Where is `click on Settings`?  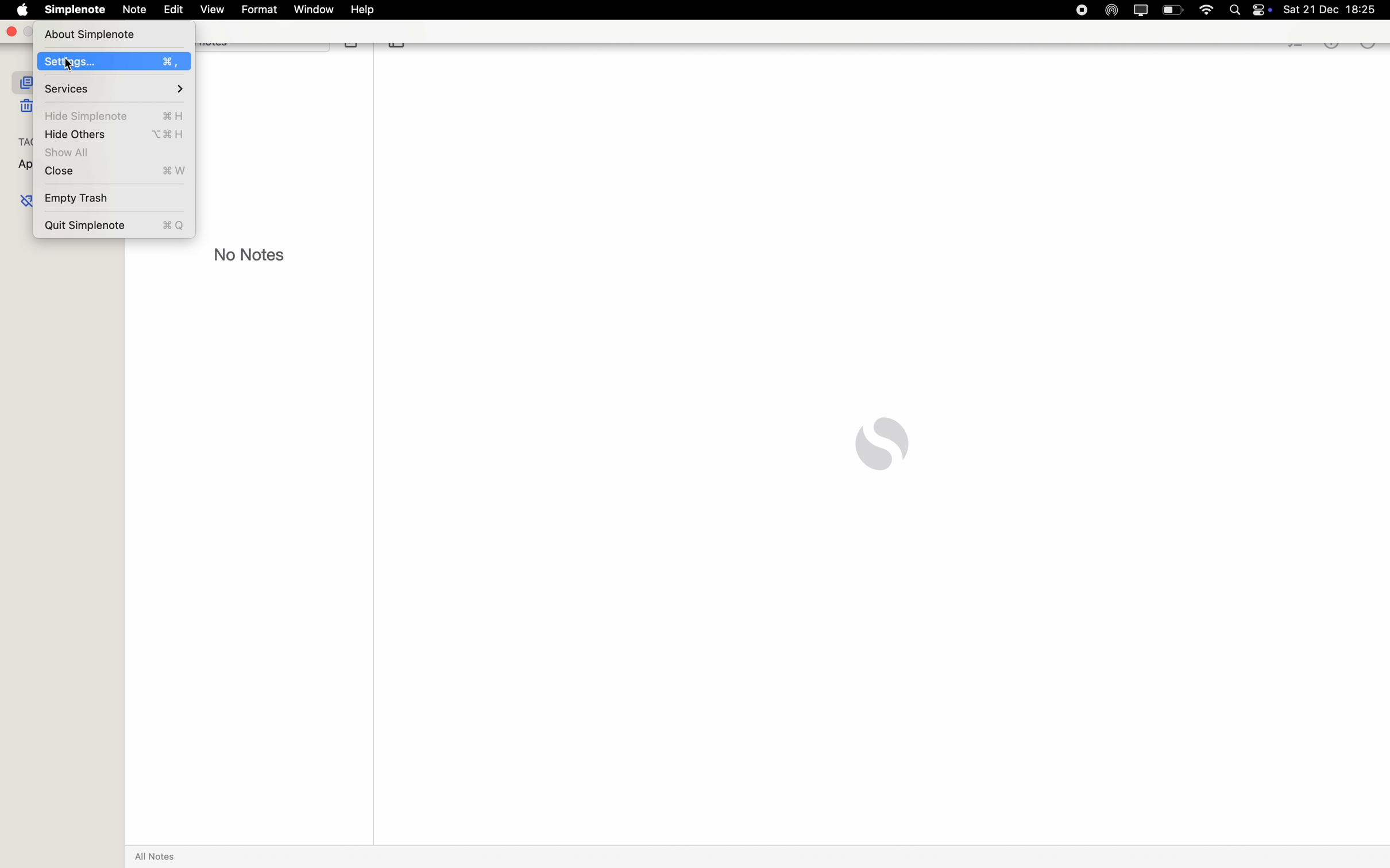 click on Settings is located at coordinates (113, 60).